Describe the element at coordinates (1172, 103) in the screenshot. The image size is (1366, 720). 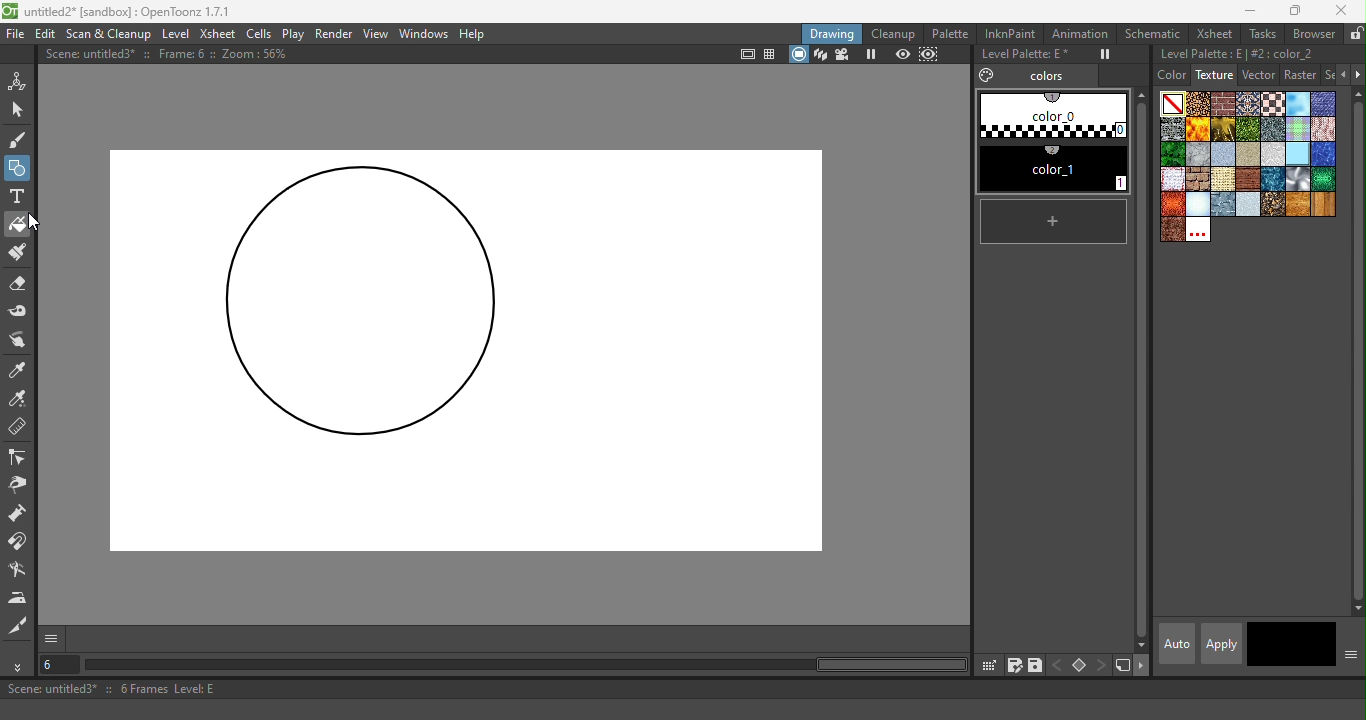
I see `Plain color` at that location.